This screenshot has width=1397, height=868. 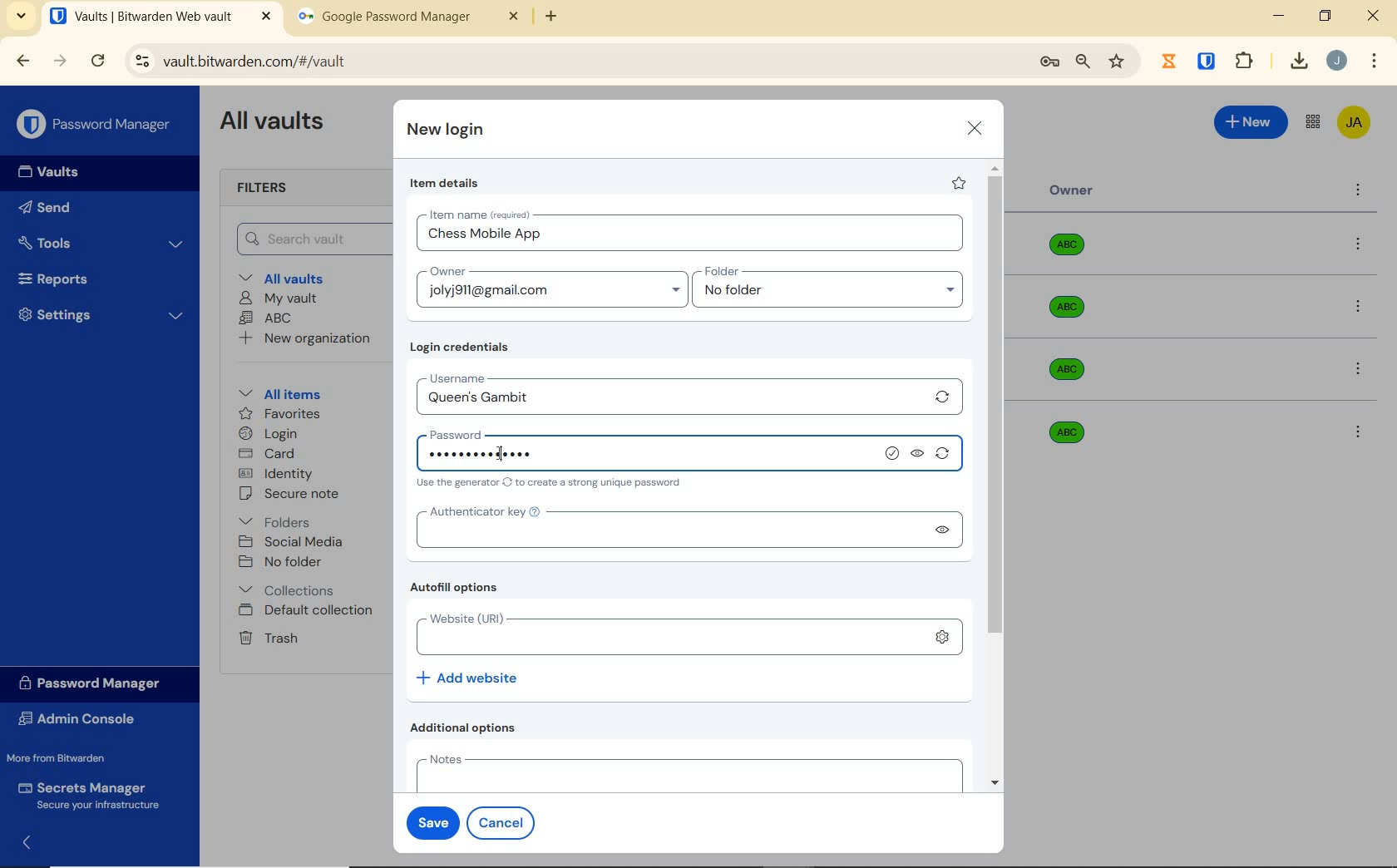 What do you see at coordinates (72, 275) in the screenshot?
I see `Reports` at bounding box center [72, 275].